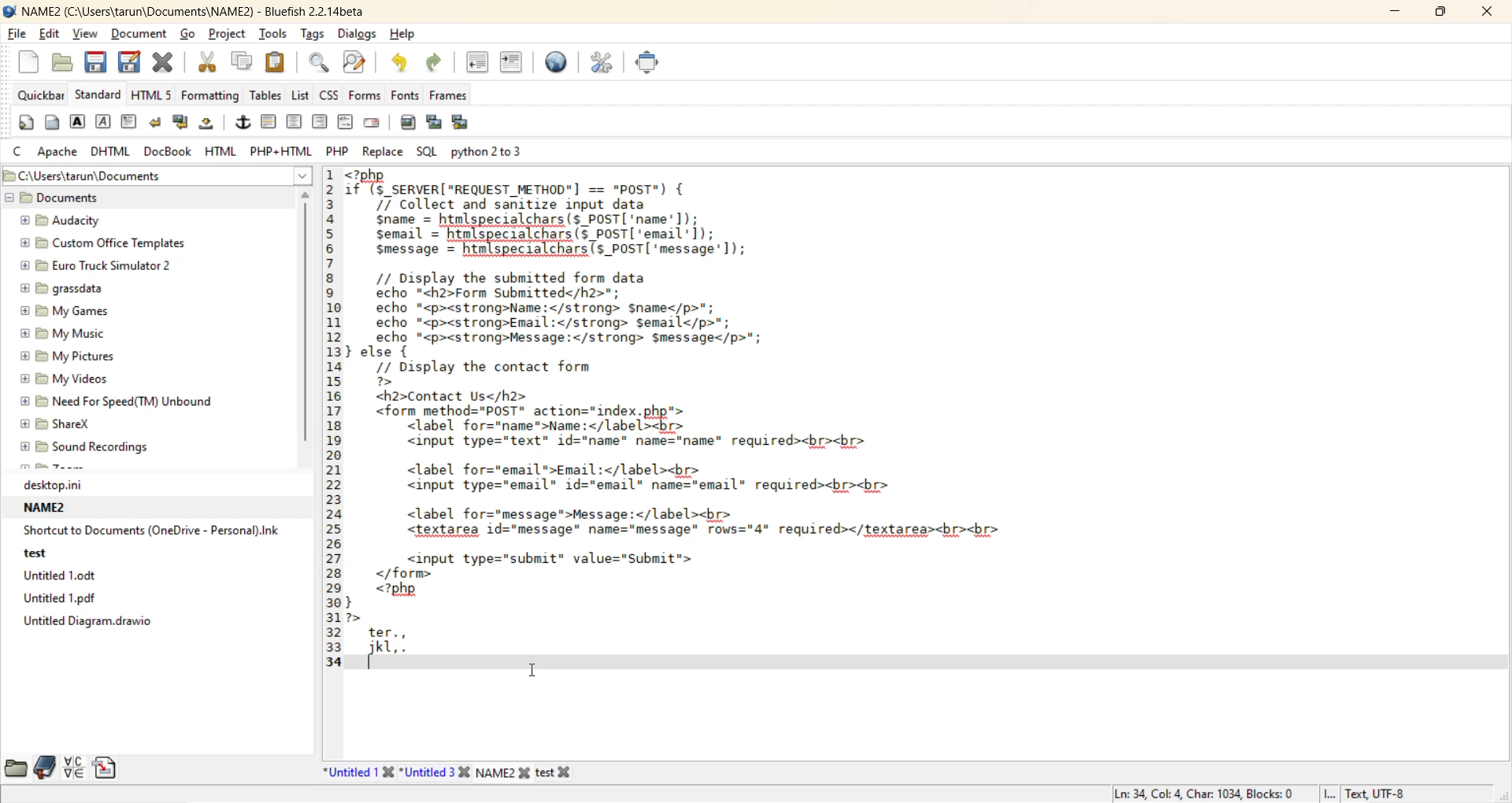 The height and width of the screenshot is (803, 1512). What do you see at coordinates (274, 34) in the screenshot?
I see `tools` at bounding box center [274, 34].